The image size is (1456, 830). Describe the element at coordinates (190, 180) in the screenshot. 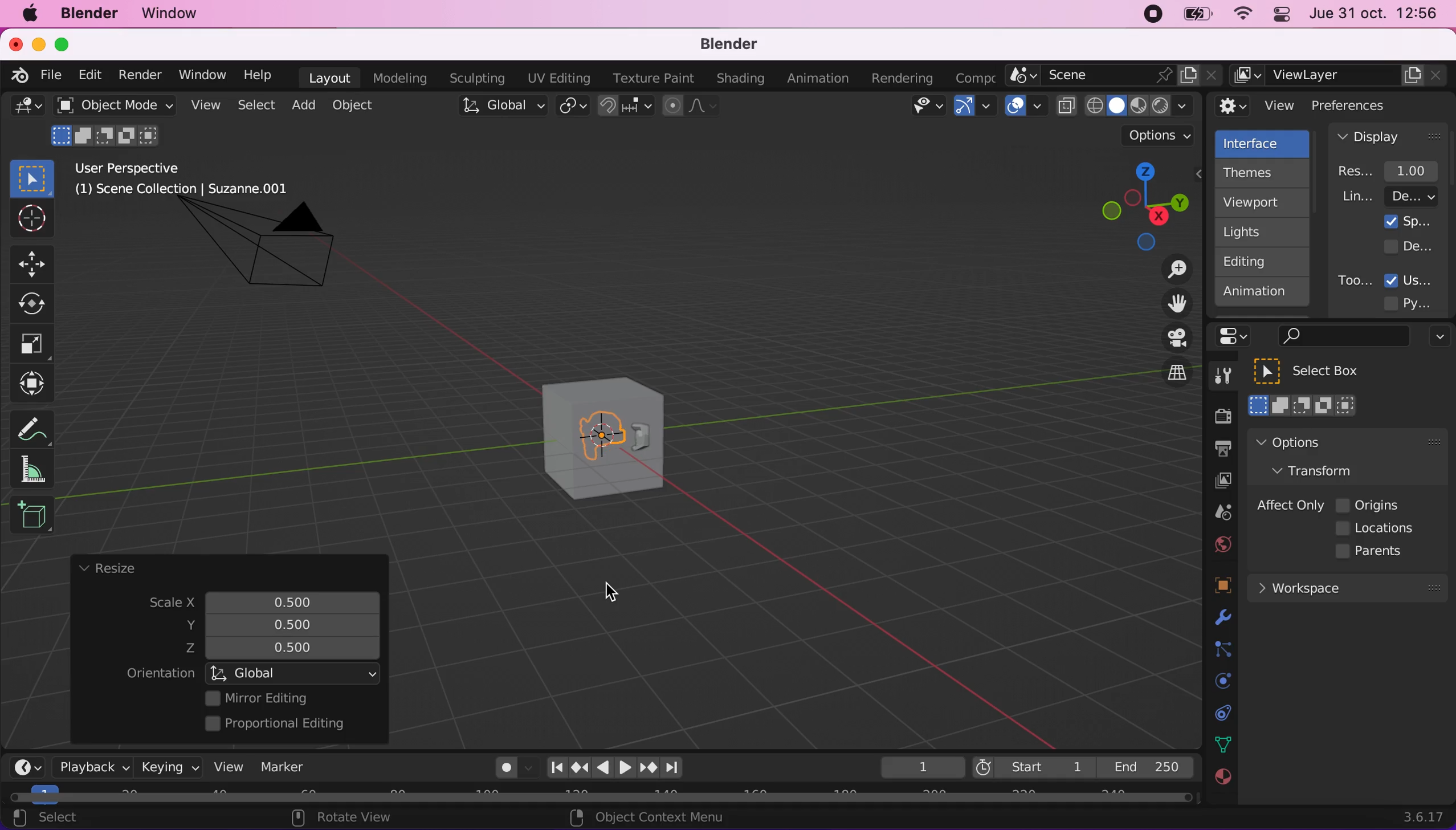

I see `user perspective (1) scene collection | suzzane.001` at that location.